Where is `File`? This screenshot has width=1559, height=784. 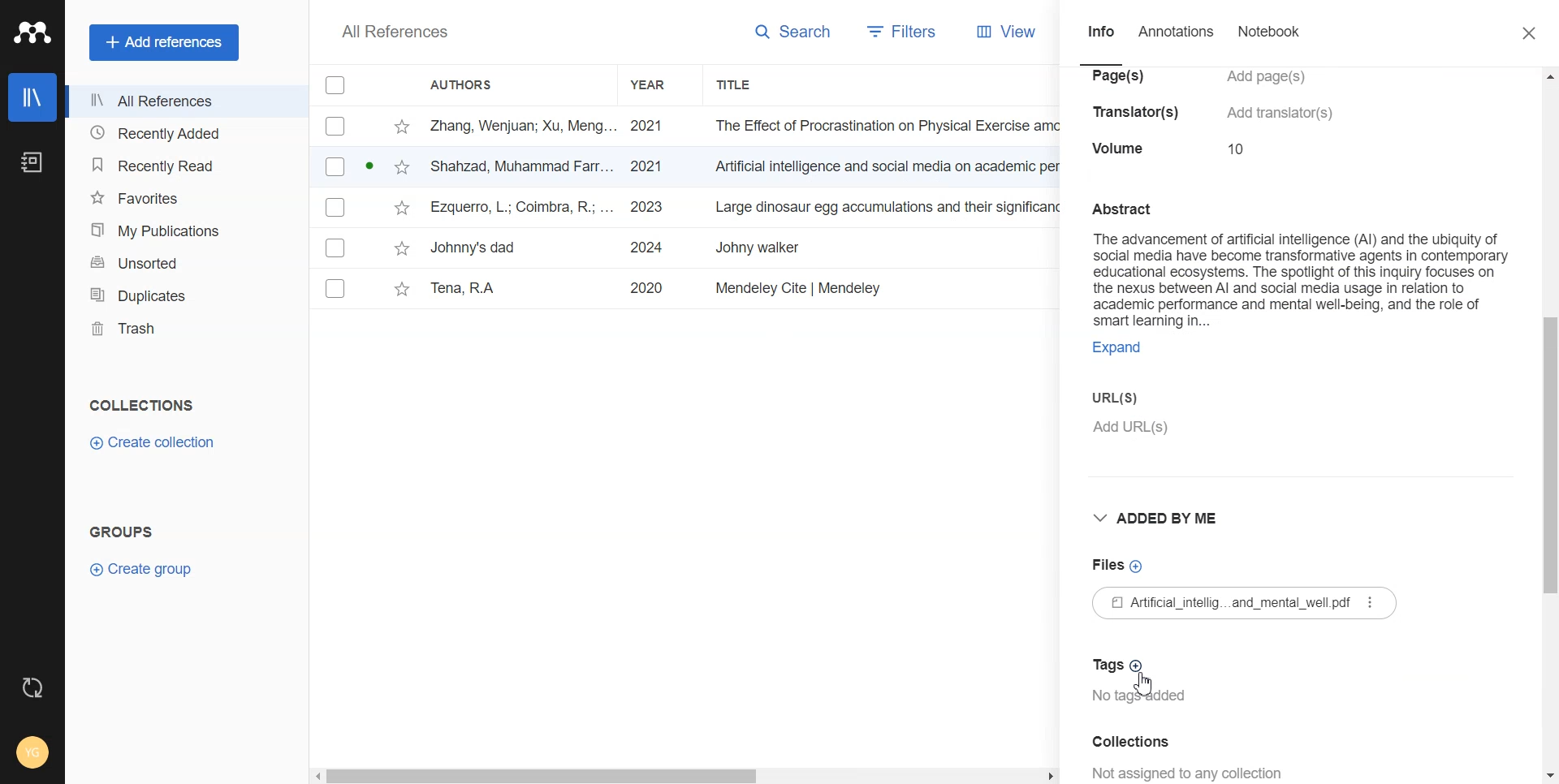
File is located at coordinates (686, 126).